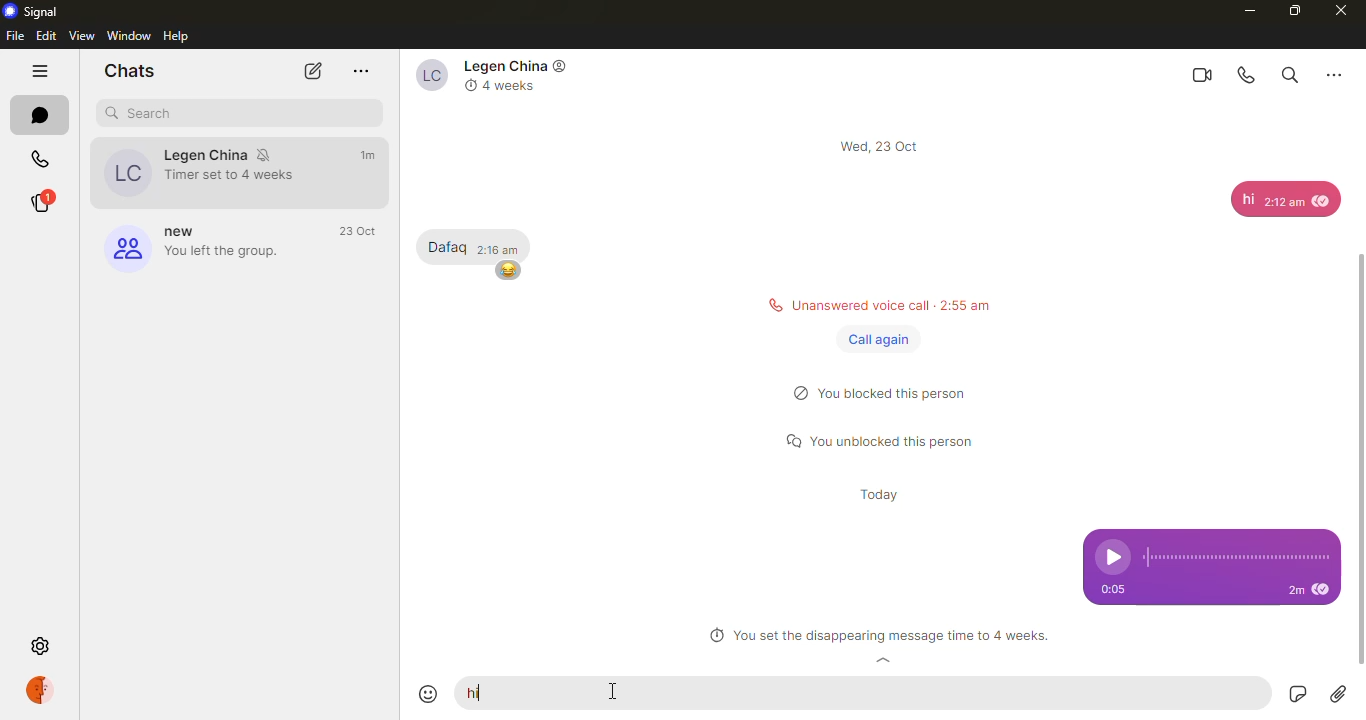  Describe the element at coordinates (446, 247) in the screenshot. I see `Dafaq` at that location.